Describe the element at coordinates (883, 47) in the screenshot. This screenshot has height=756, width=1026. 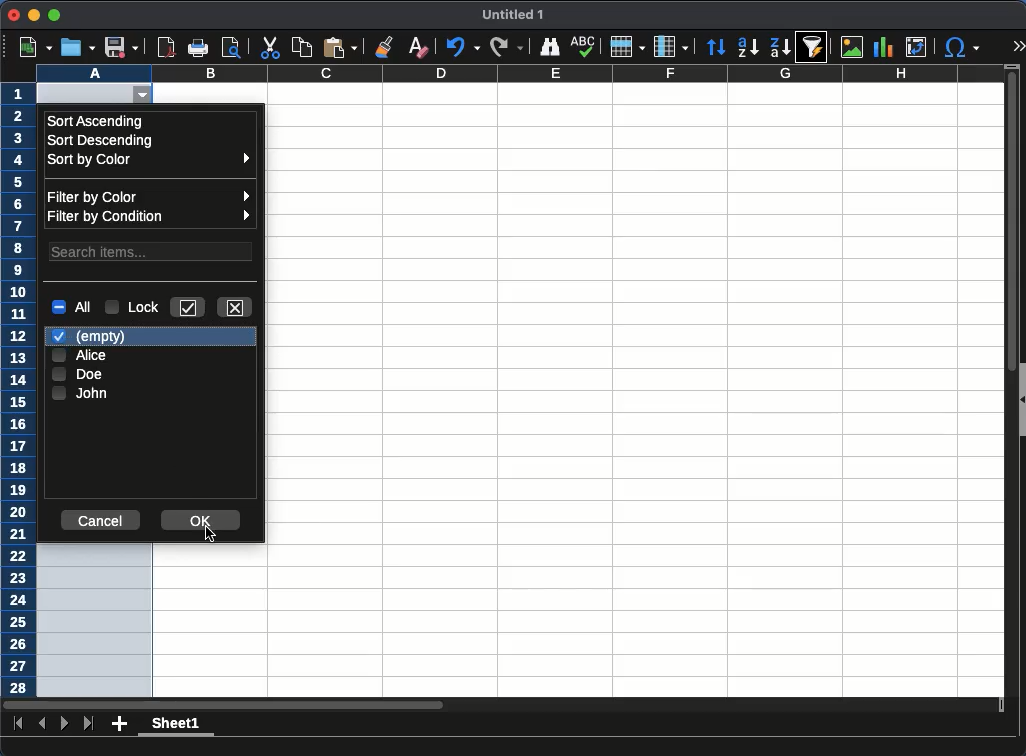
I see `chart` at that location.